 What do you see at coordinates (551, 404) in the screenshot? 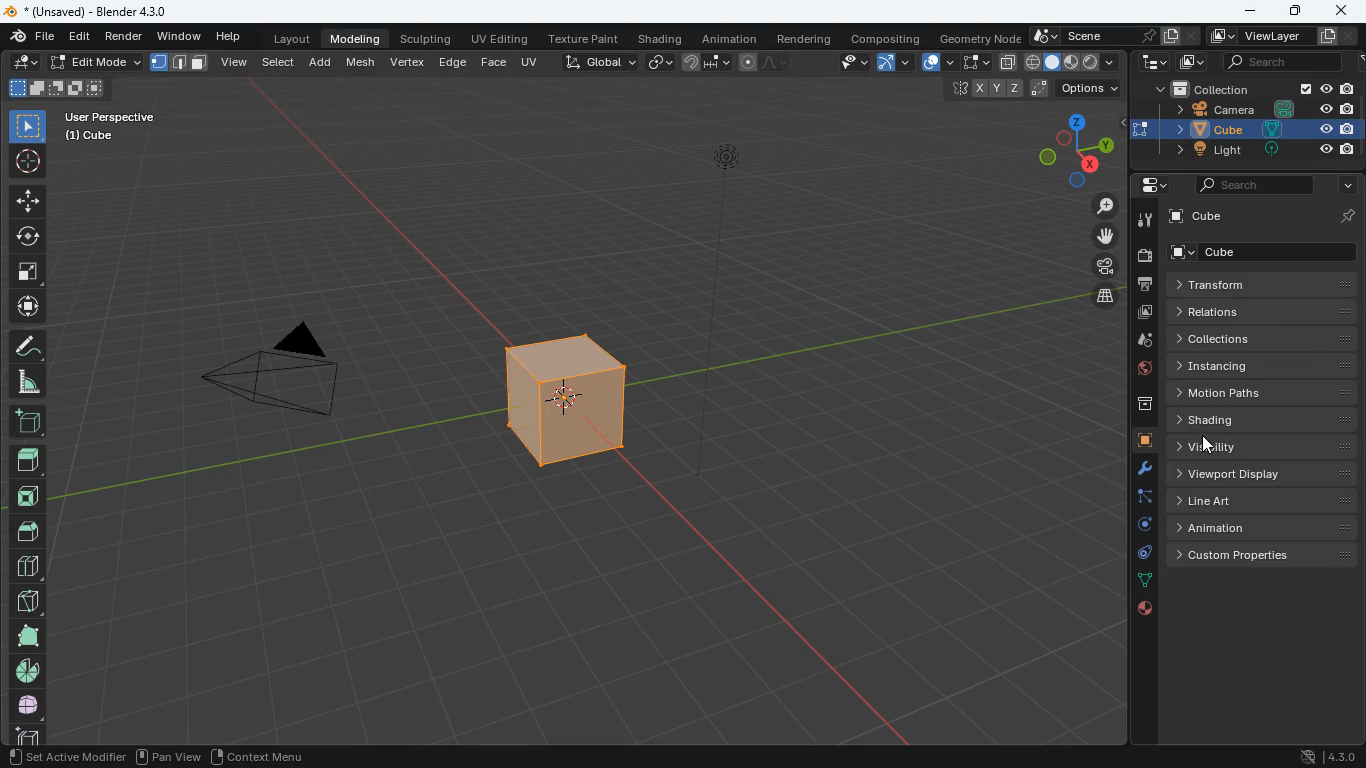
I see `cube` at bounding box center [551, 404].